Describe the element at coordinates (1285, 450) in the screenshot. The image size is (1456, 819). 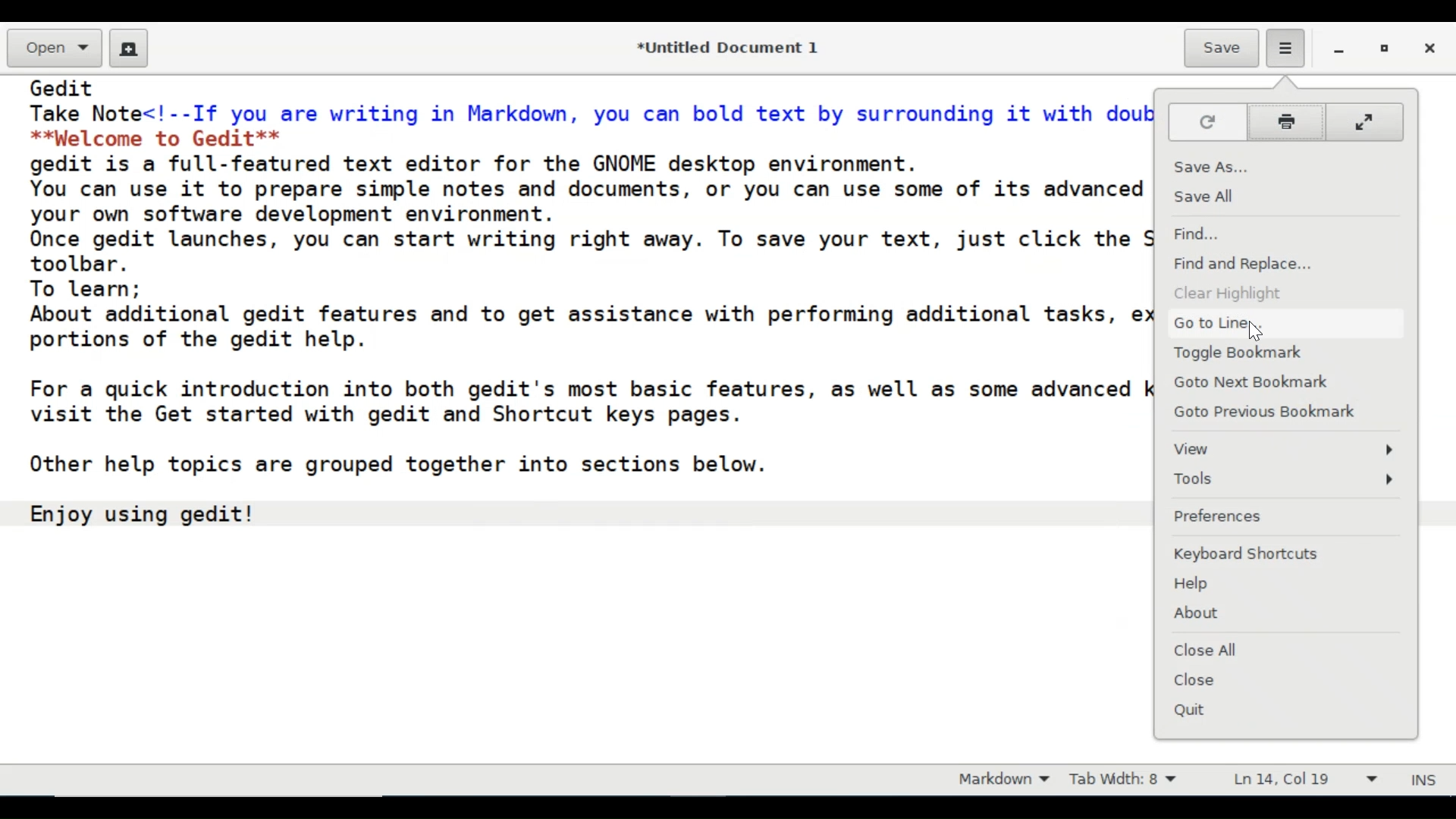
I see `View` at that location.